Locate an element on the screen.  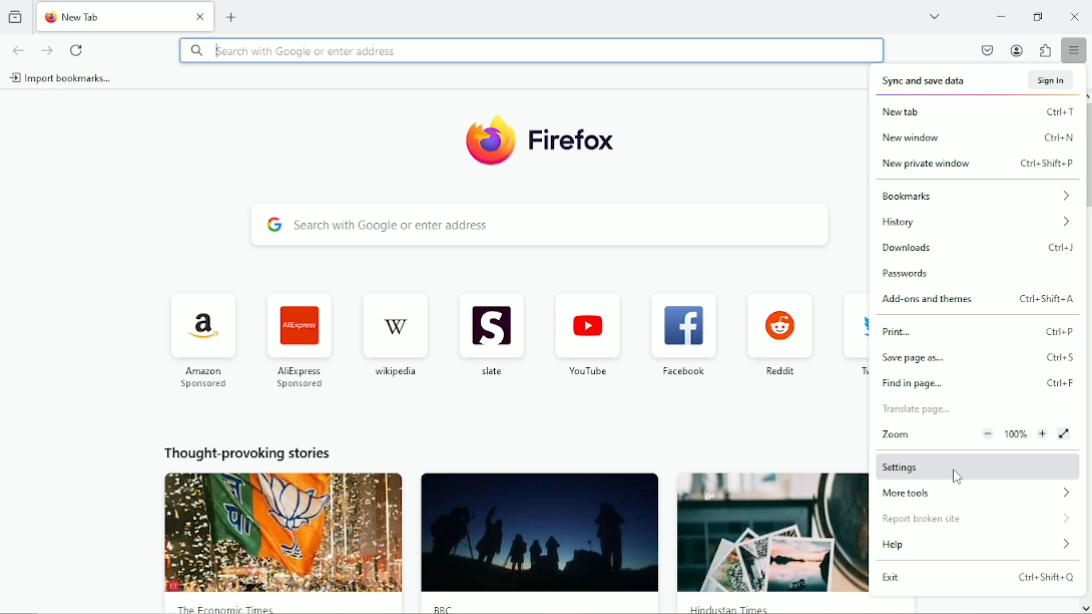
Reload current page is located at coordinates (78, 50).